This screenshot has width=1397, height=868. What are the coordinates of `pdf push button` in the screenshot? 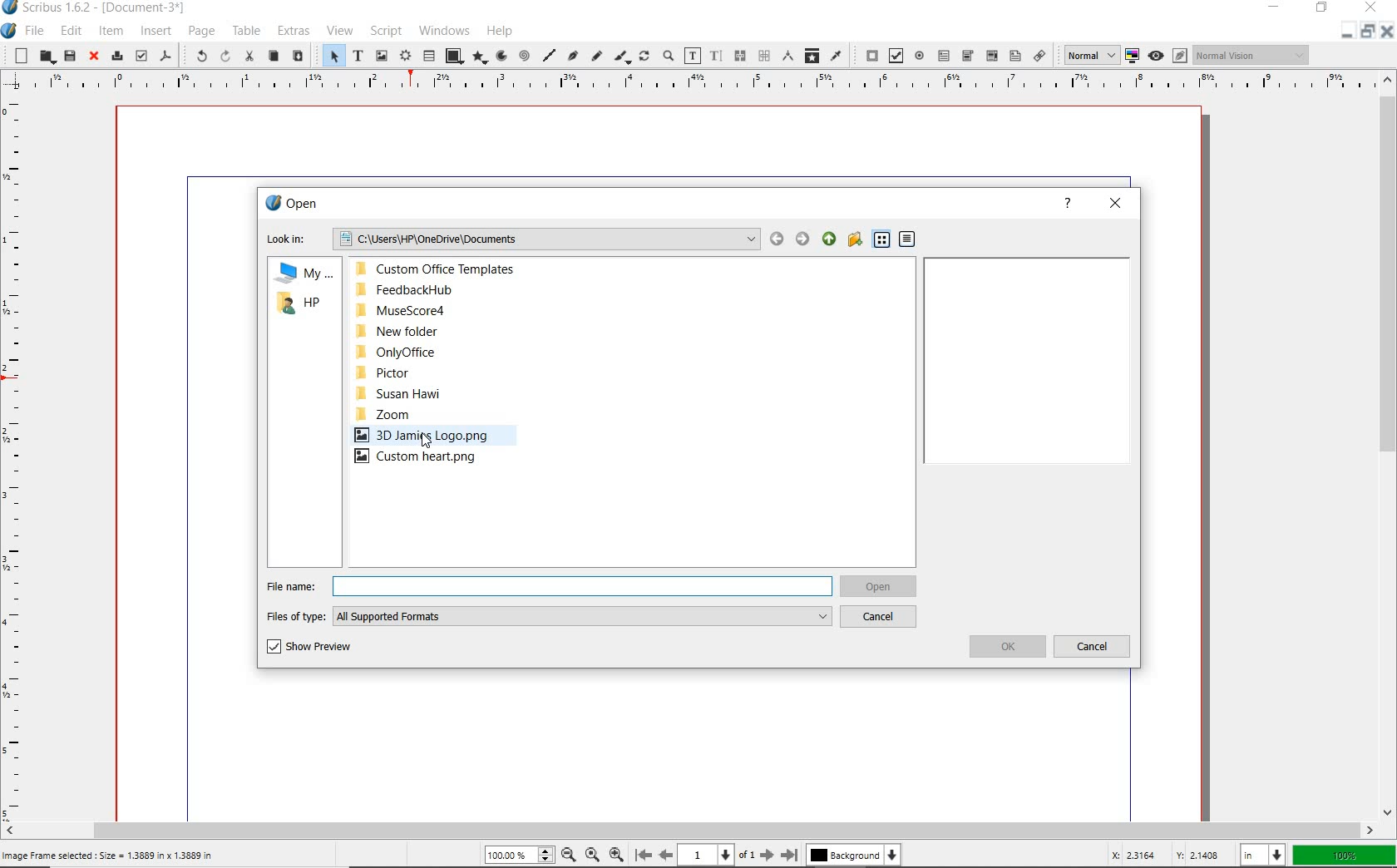 It's located at (867, 55).